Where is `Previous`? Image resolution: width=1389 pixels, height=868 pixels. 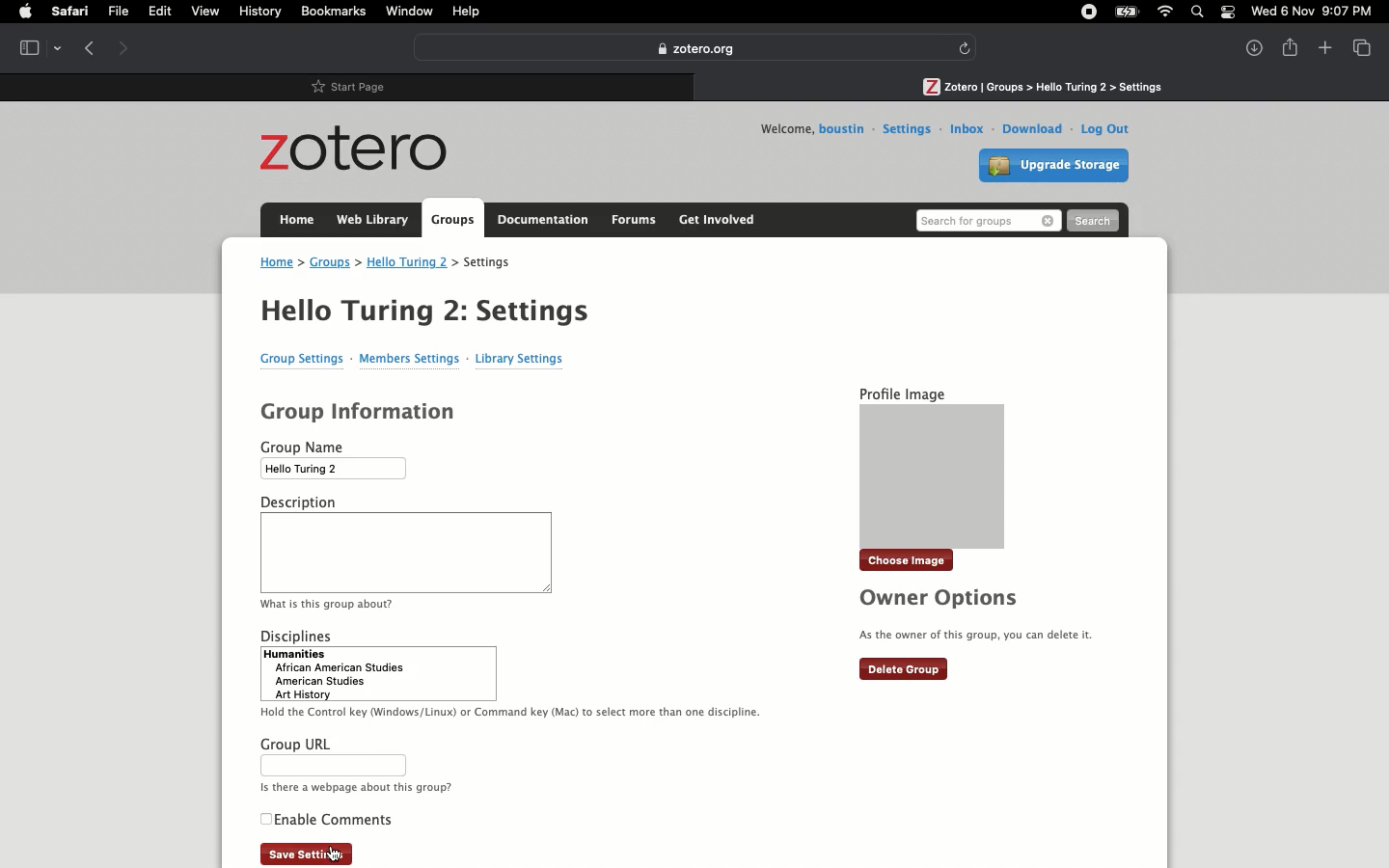 Previous is located at coordinates (91, 48).